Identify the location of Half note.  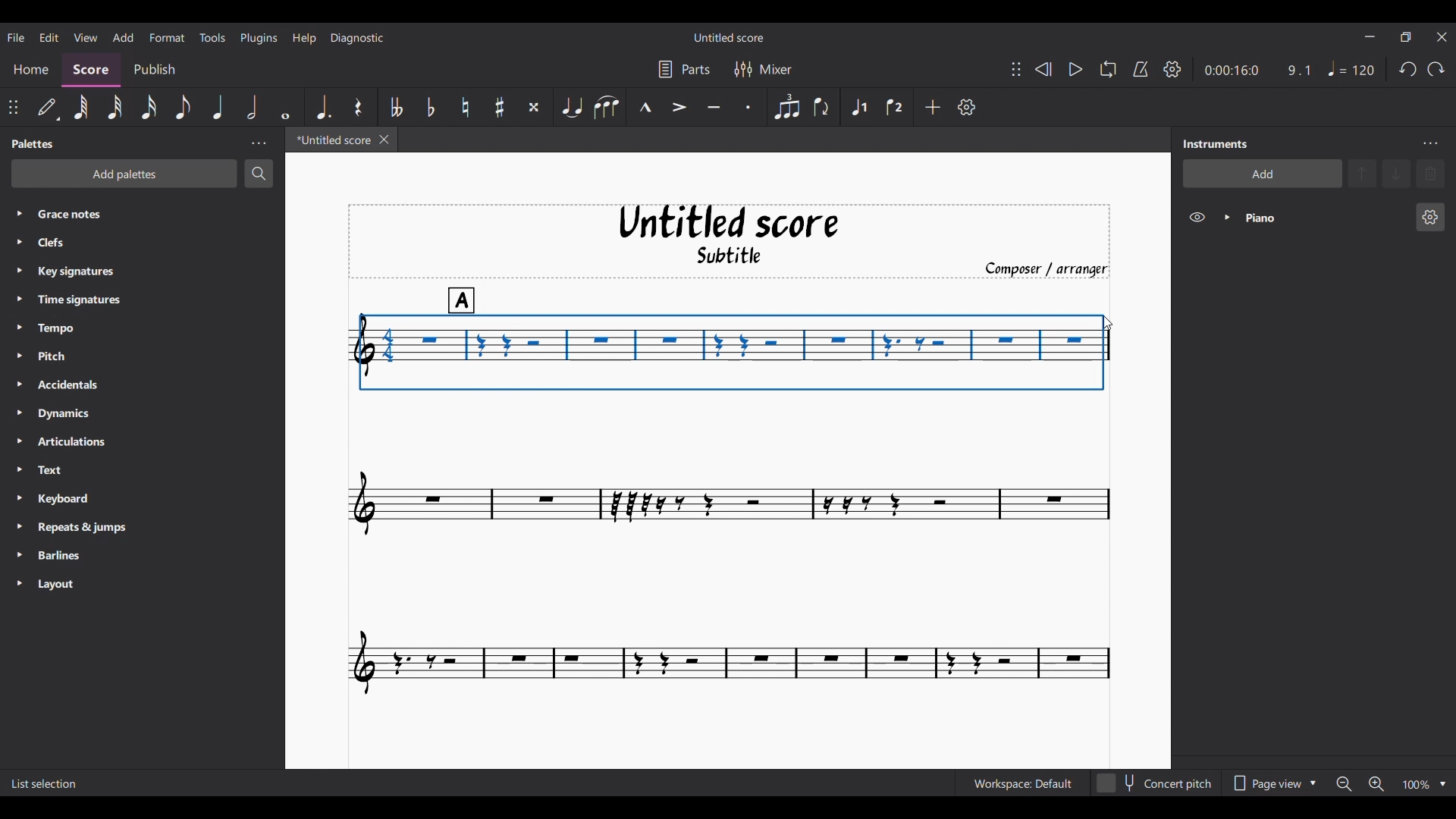
(251, 107).